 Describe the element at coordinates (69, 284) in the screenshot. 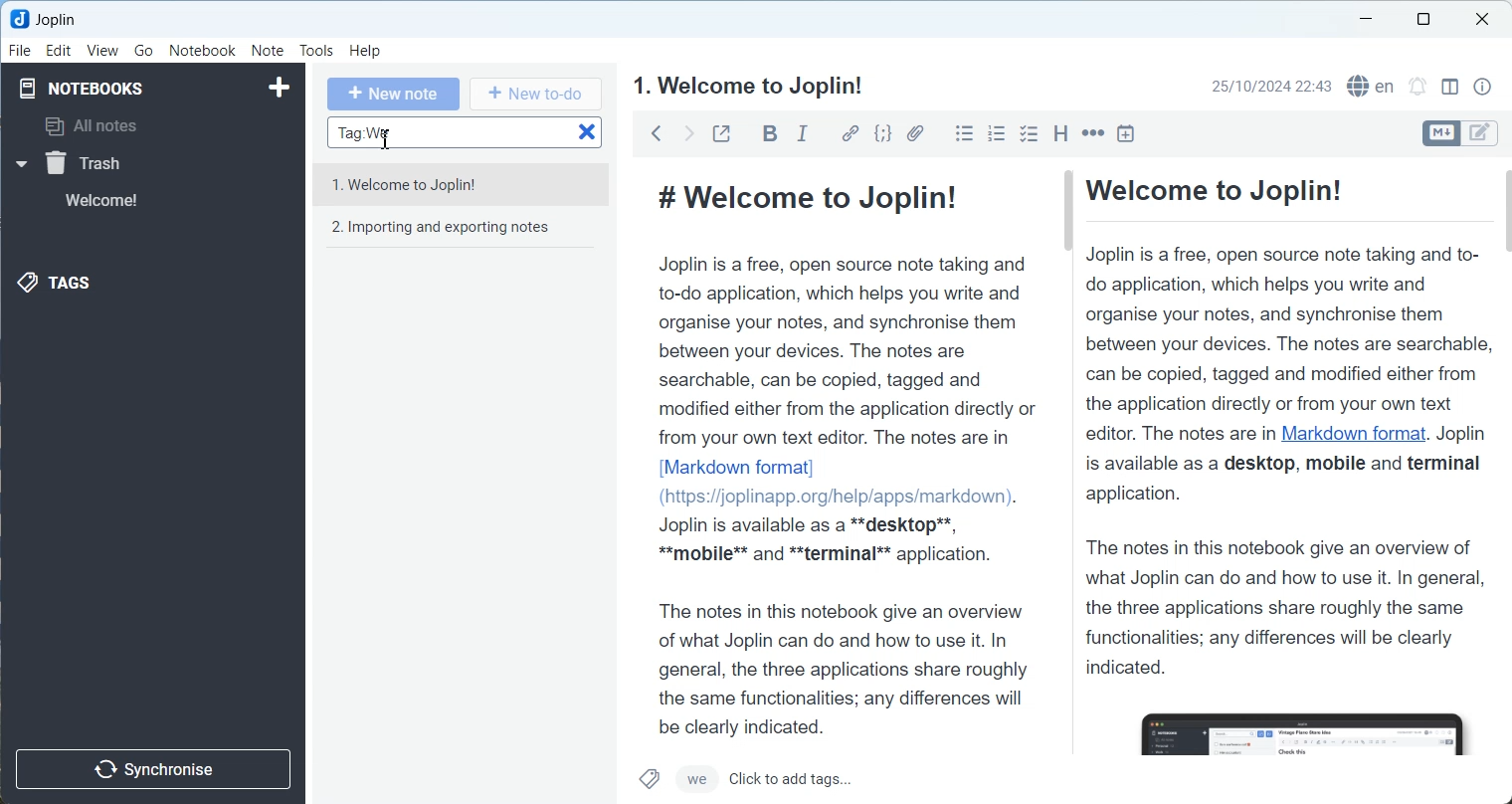

I see `Tags` at that location.